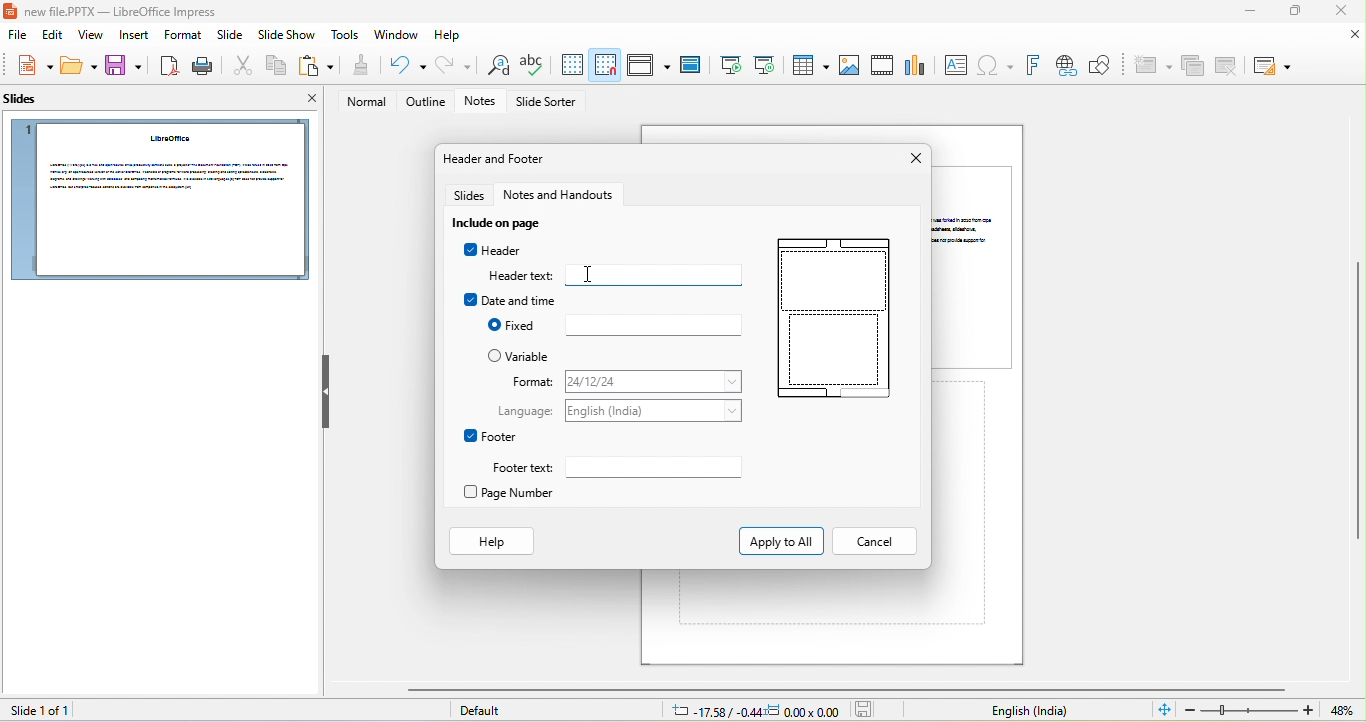 This screenshot has height=722, width=1366. Describe the element at coordinates (522, 356) in the screenshot. I see `variable` at that location.